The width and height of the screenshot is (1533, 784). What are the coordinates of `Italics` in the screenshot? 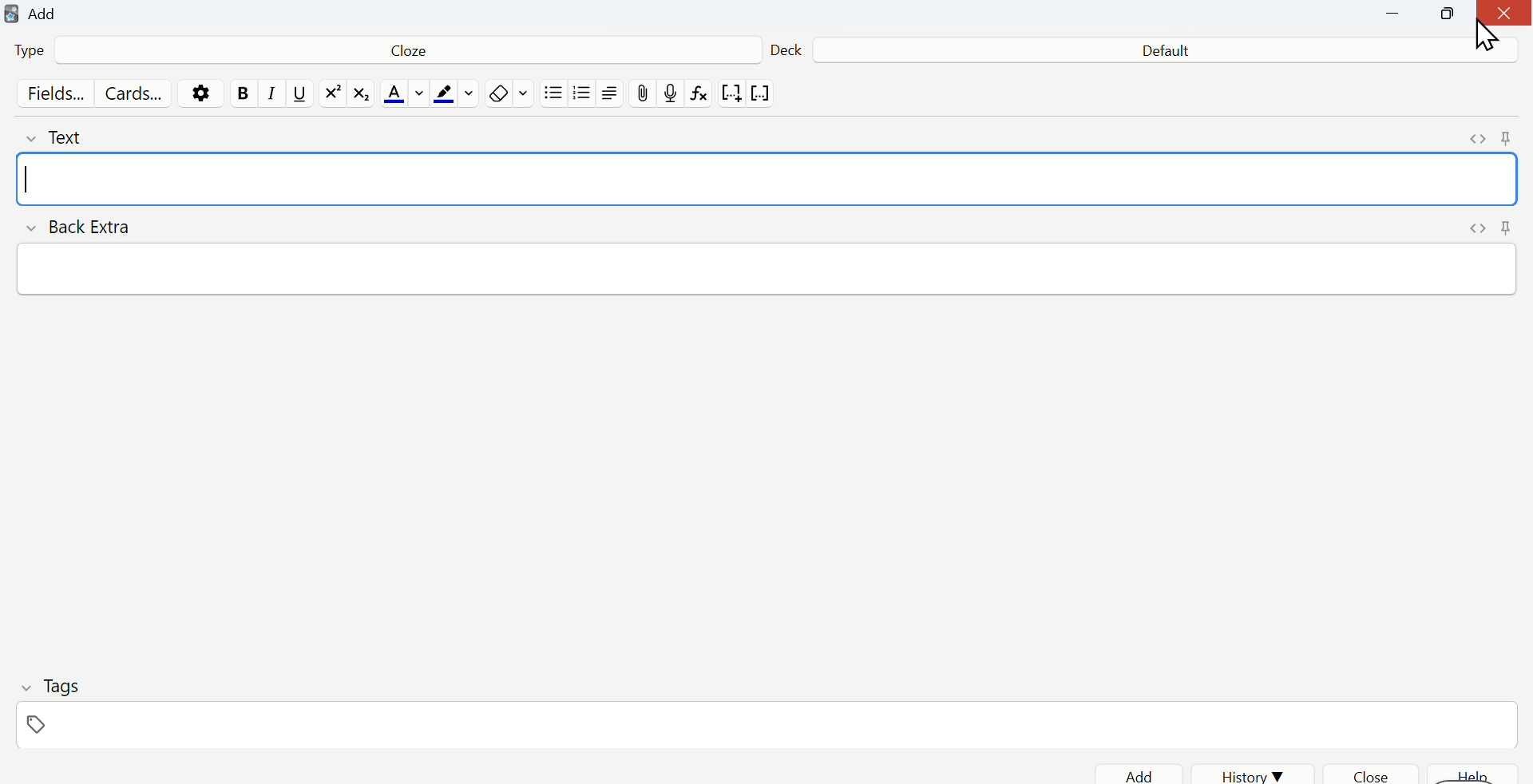 It's located at (267, 98).